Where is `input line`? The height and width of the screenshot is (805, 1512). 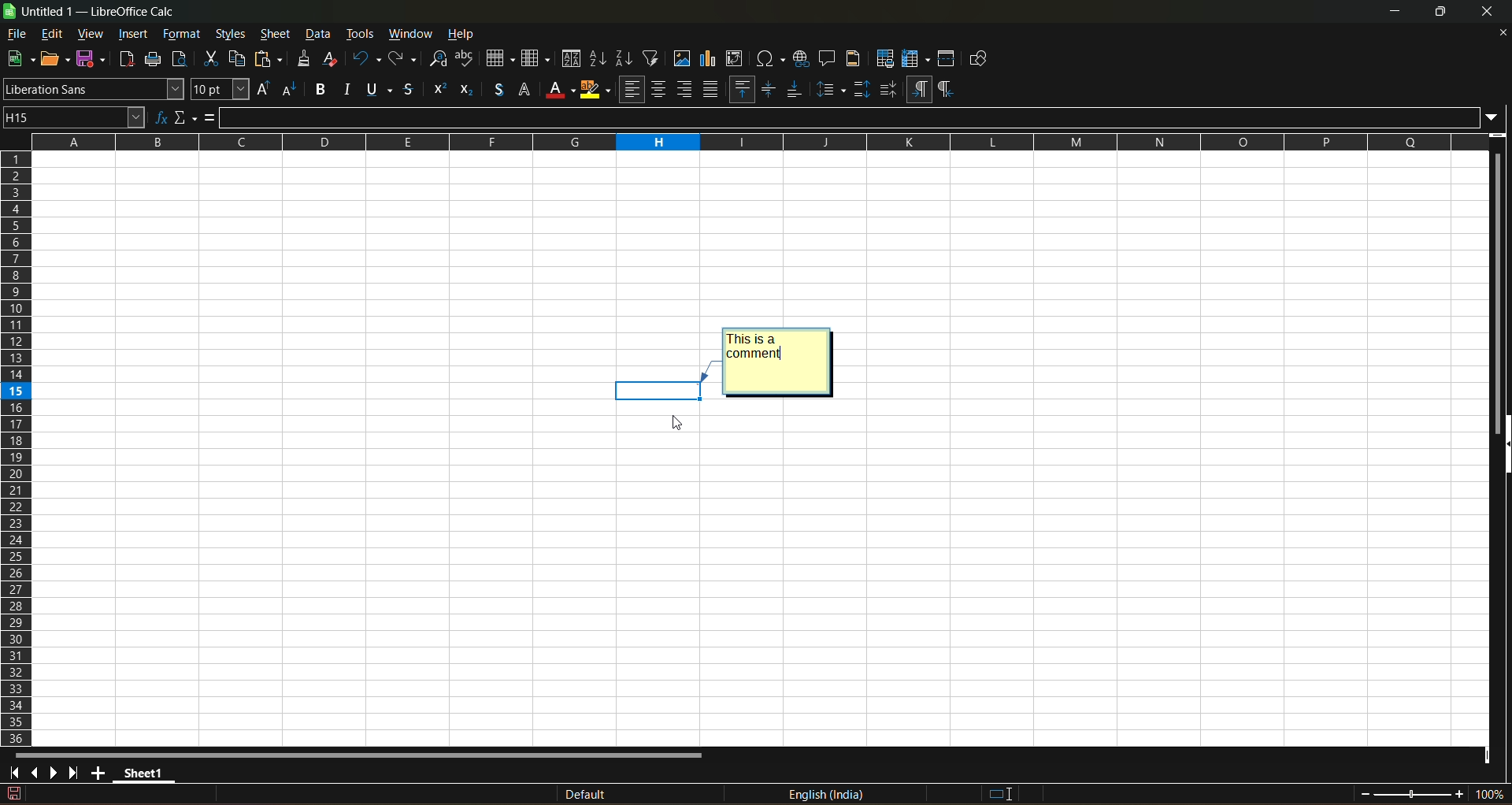
input line is located at coordinates (858, 117).